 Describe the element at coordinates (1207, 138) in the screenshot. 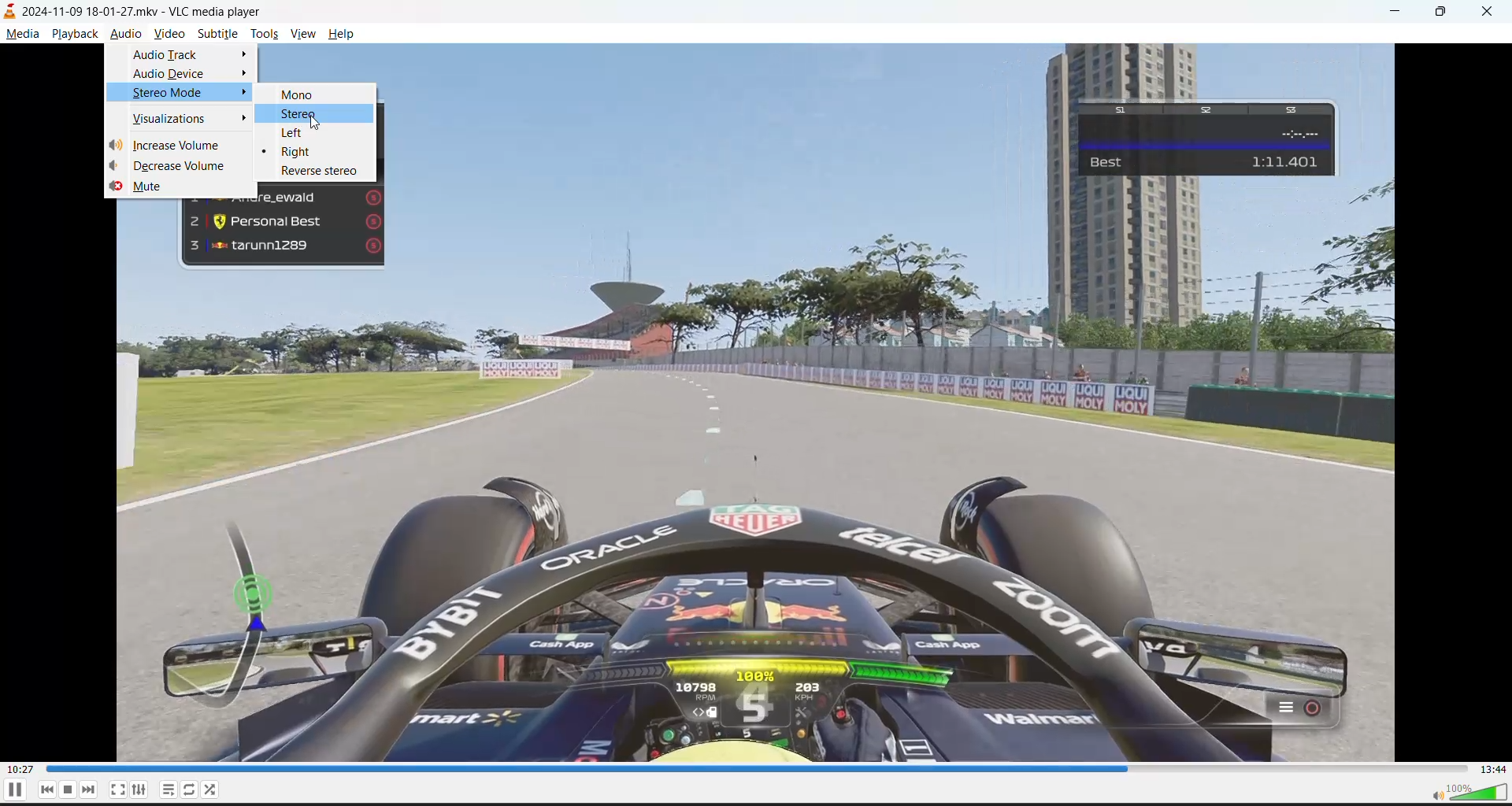

I see `Best 1:11.401` at that location.